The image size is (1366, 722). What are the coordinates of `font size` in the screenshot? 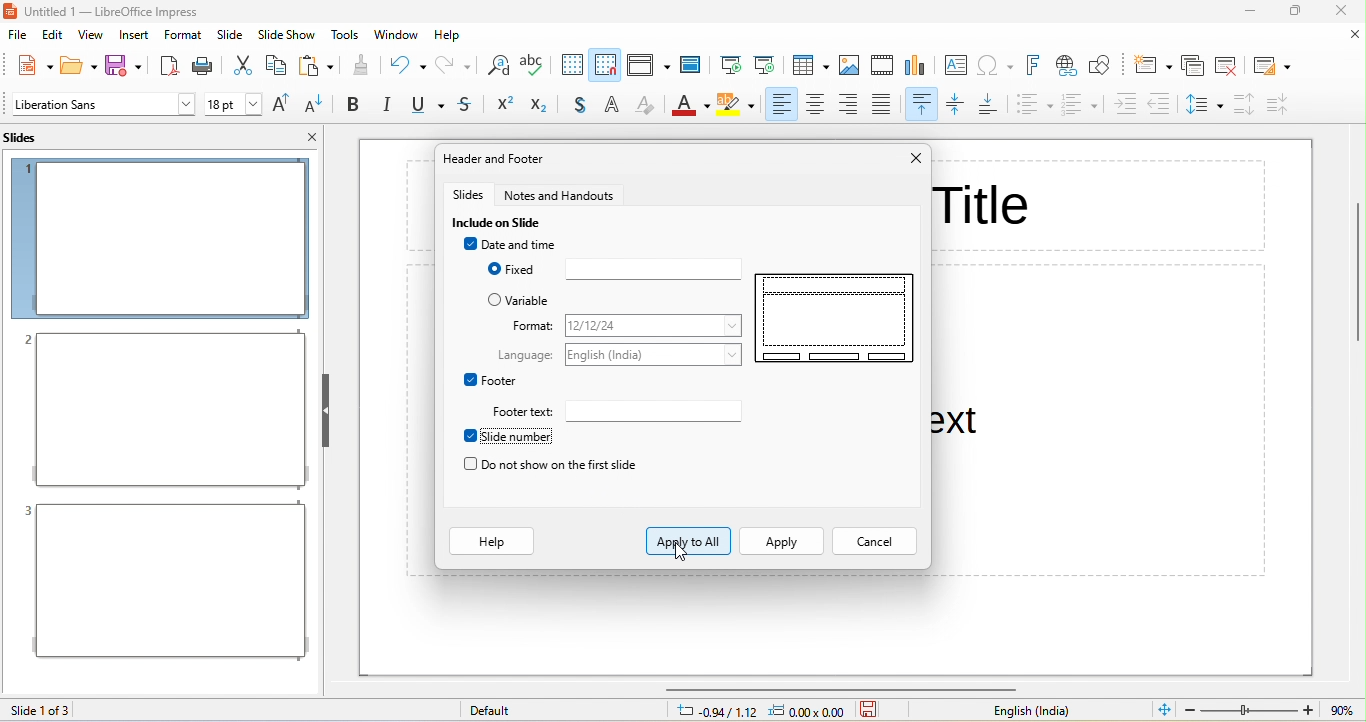 It's located at (233, 104).